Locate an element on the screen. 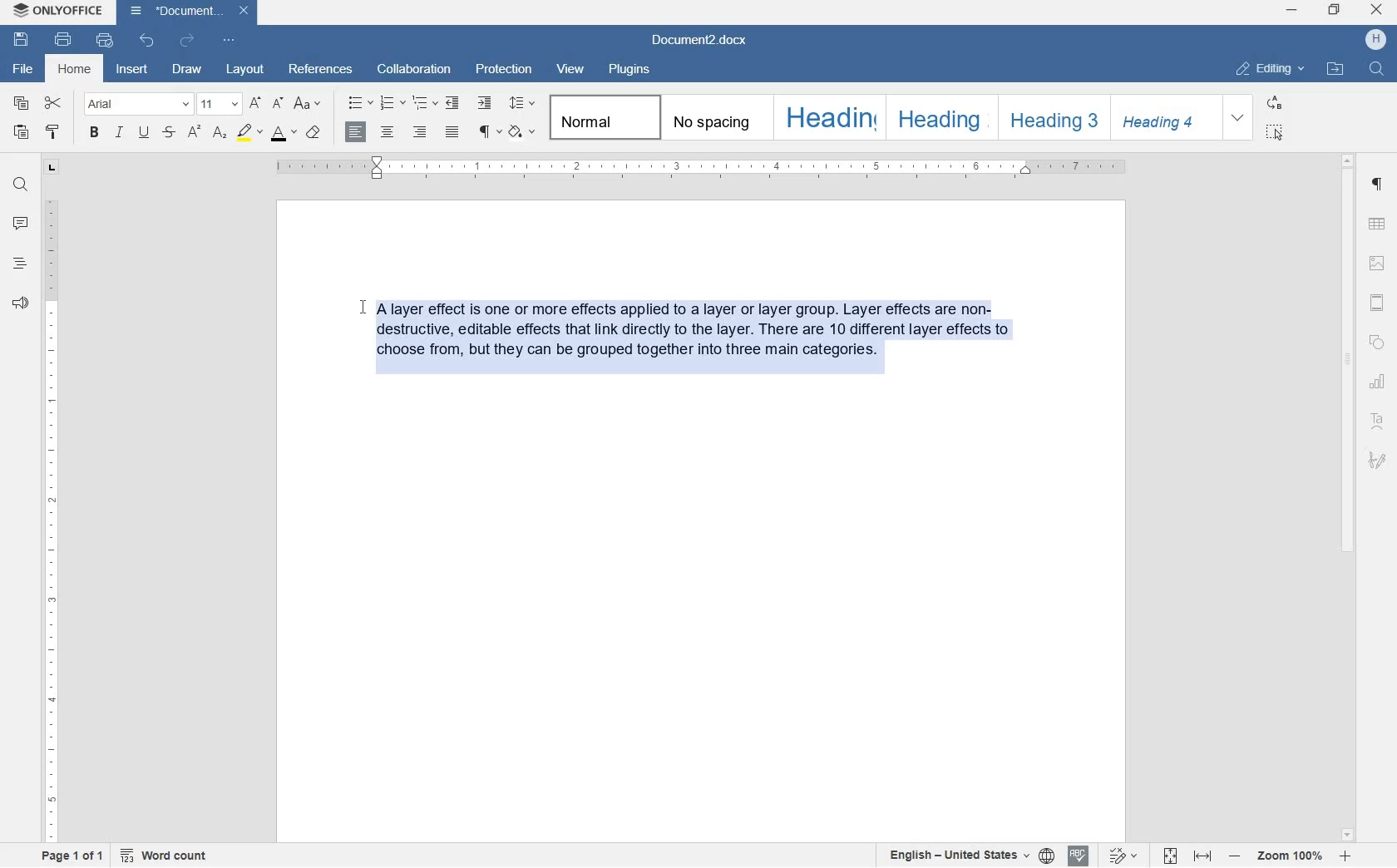 The height and width of the screenshot is (868, 1397). quick print is located at coordinates (104, 43).